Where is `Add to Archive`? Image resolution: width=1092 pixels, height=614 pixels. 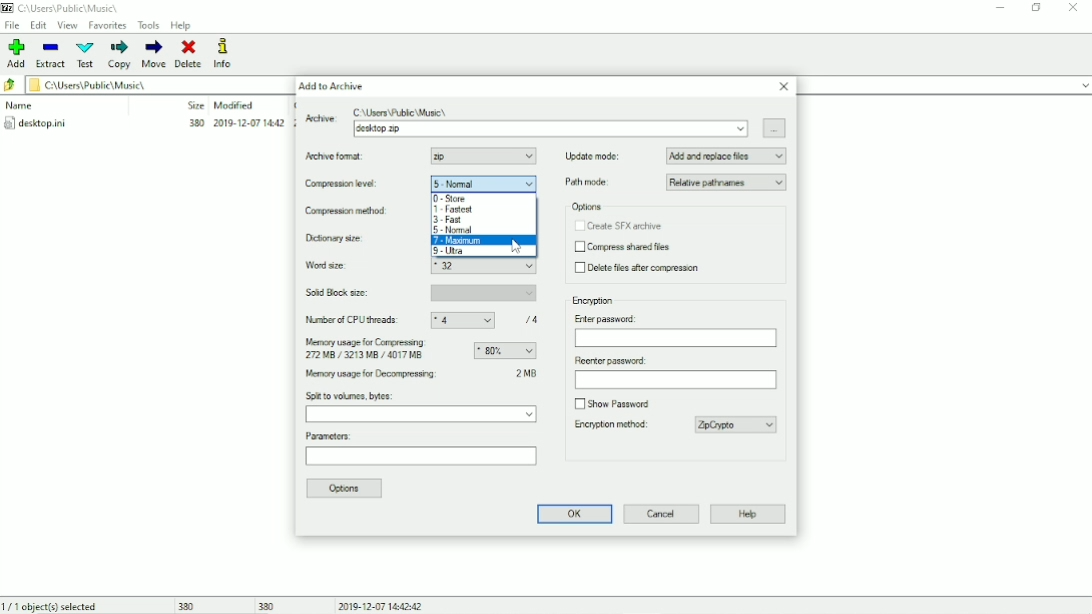 Add to Archive is located at coordinates (331, 86).